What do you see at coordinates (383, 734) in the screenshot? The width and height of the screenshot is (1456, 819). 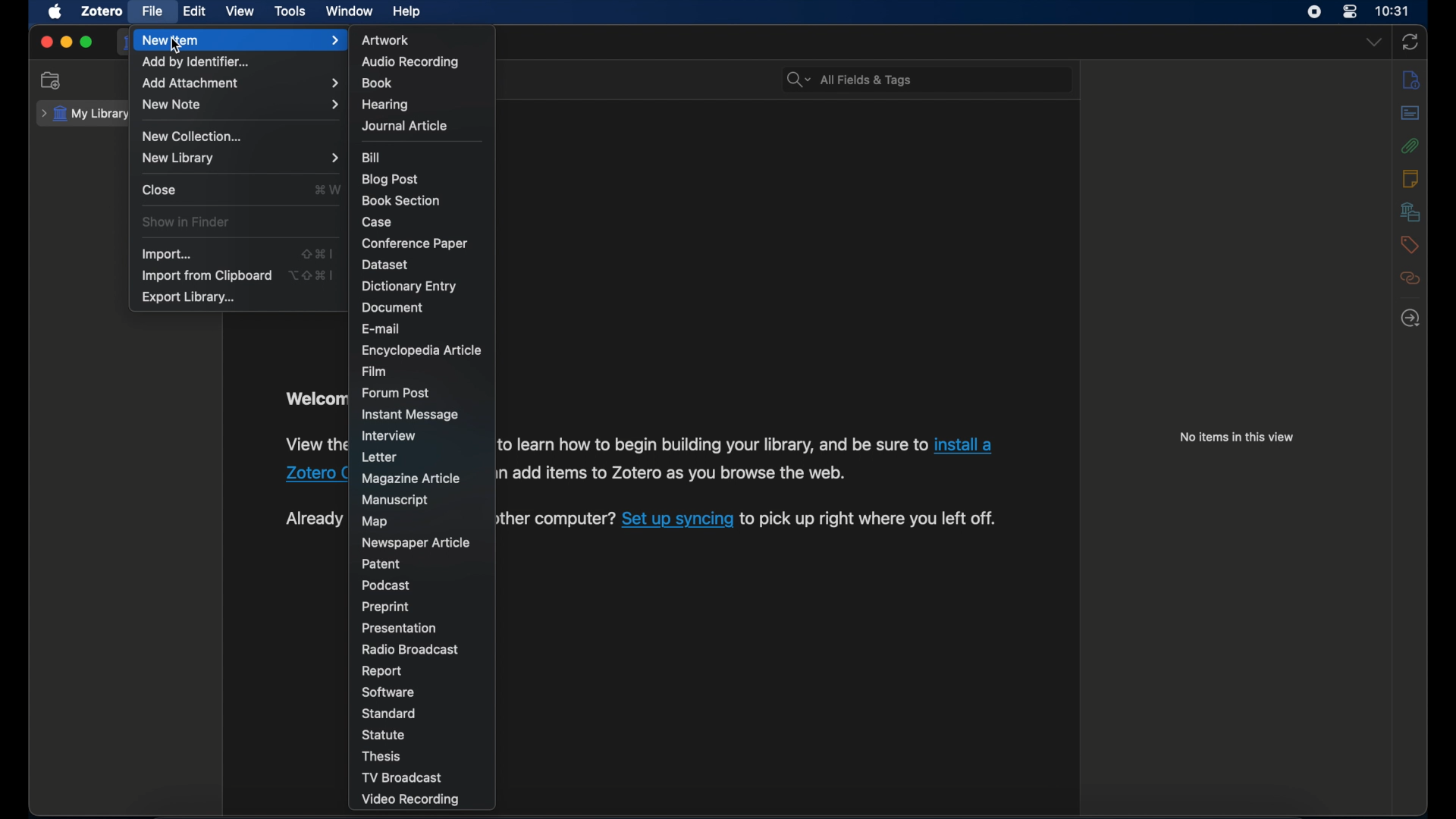 I see `statue` at bounding box center [383, 734].